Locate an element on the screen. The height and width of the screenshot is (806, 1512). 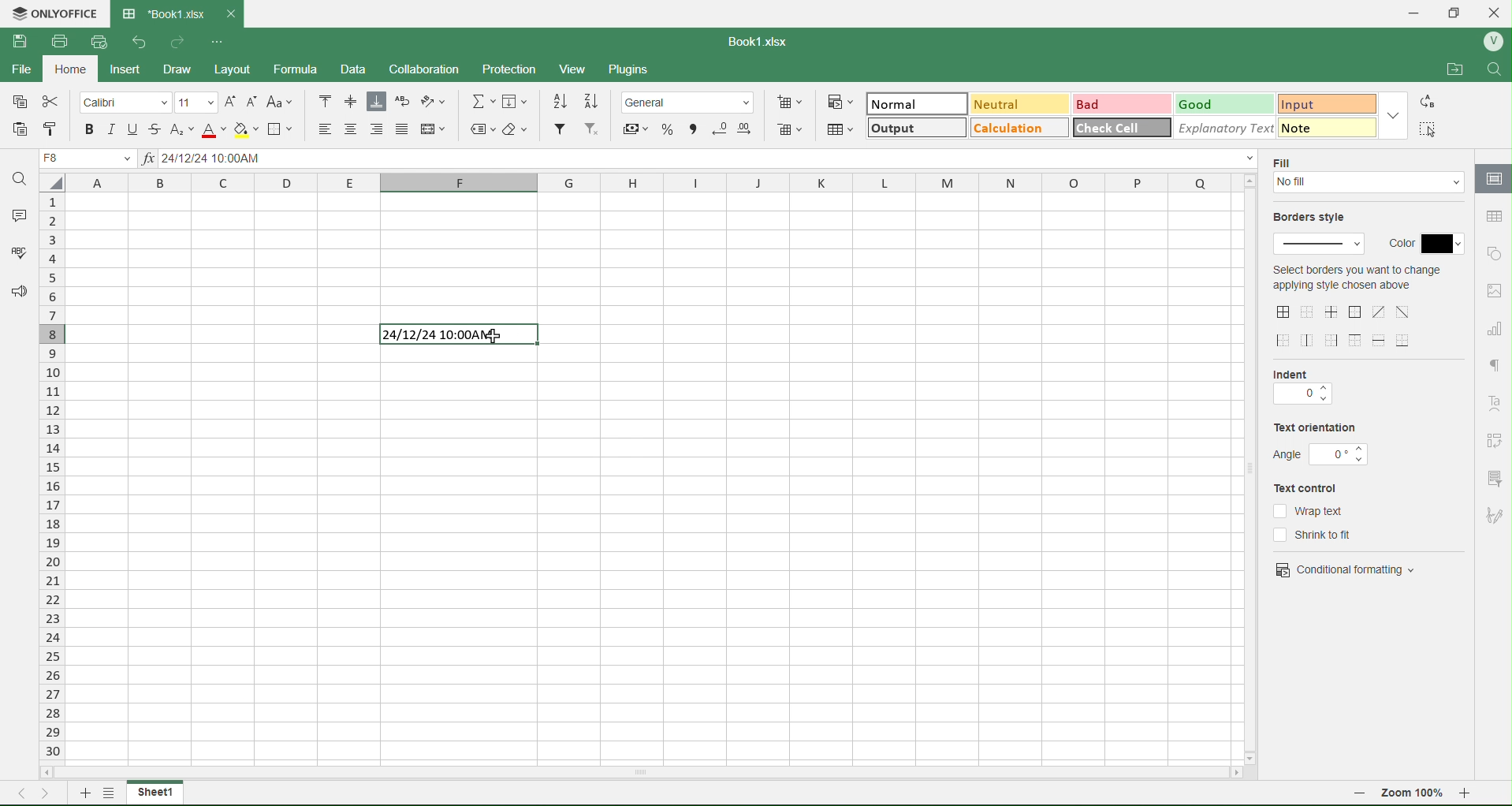
Paste is located at coordinates (20, 129).